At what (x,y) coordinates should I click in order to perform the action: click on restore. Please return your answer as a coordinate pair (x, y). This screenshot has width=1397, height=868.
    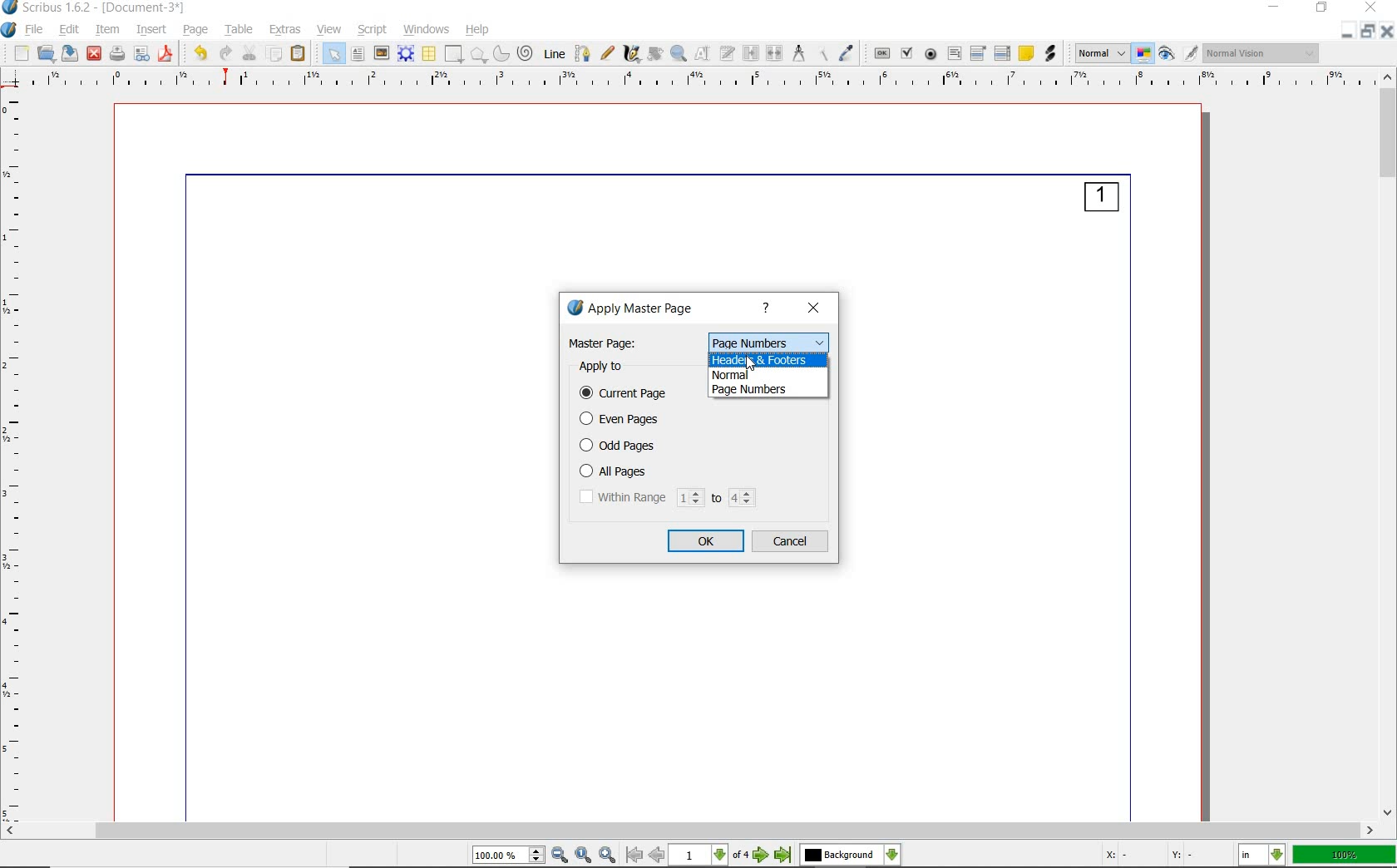
    Looking at the image, I should click on (1369, 32).